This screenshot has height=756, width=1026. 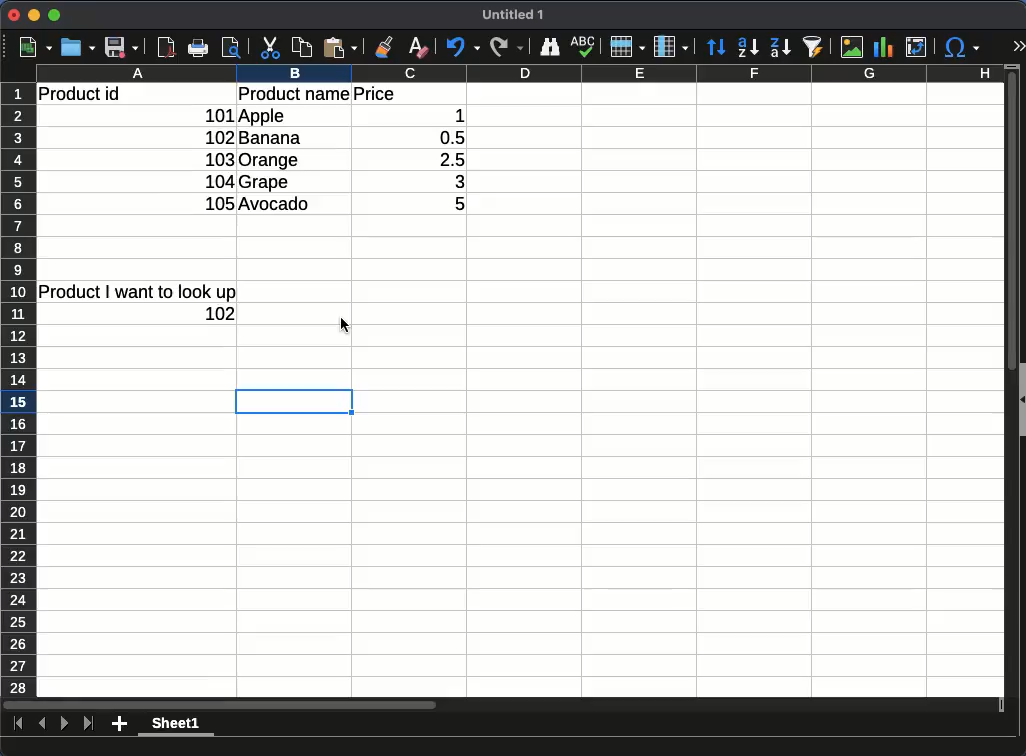 I want to click on 105, so click(x=219, y=203).